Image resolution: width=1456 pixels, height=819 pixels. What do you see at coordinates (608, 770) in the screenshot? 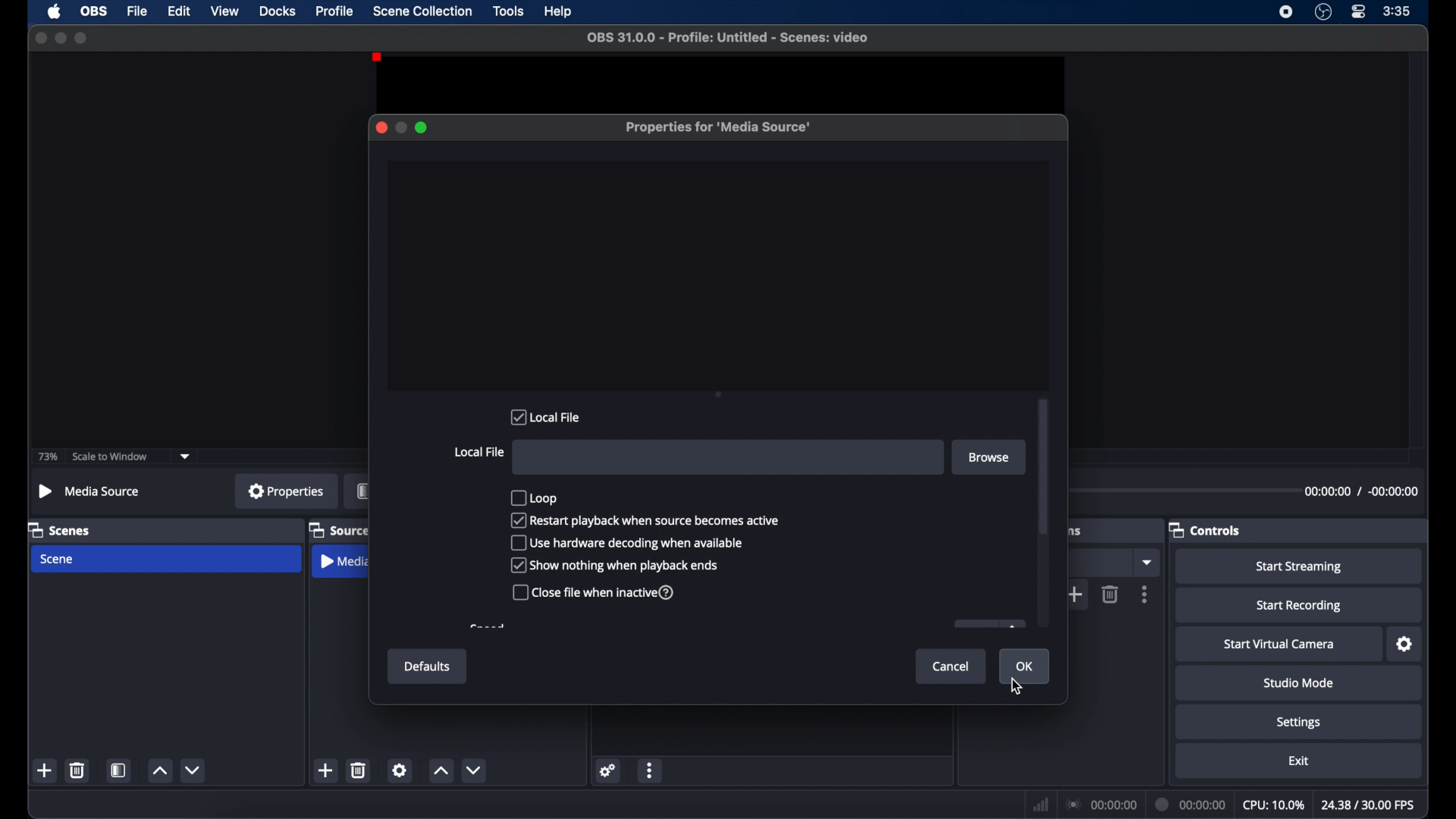
I see `settings` at bounding box center [608, 770].